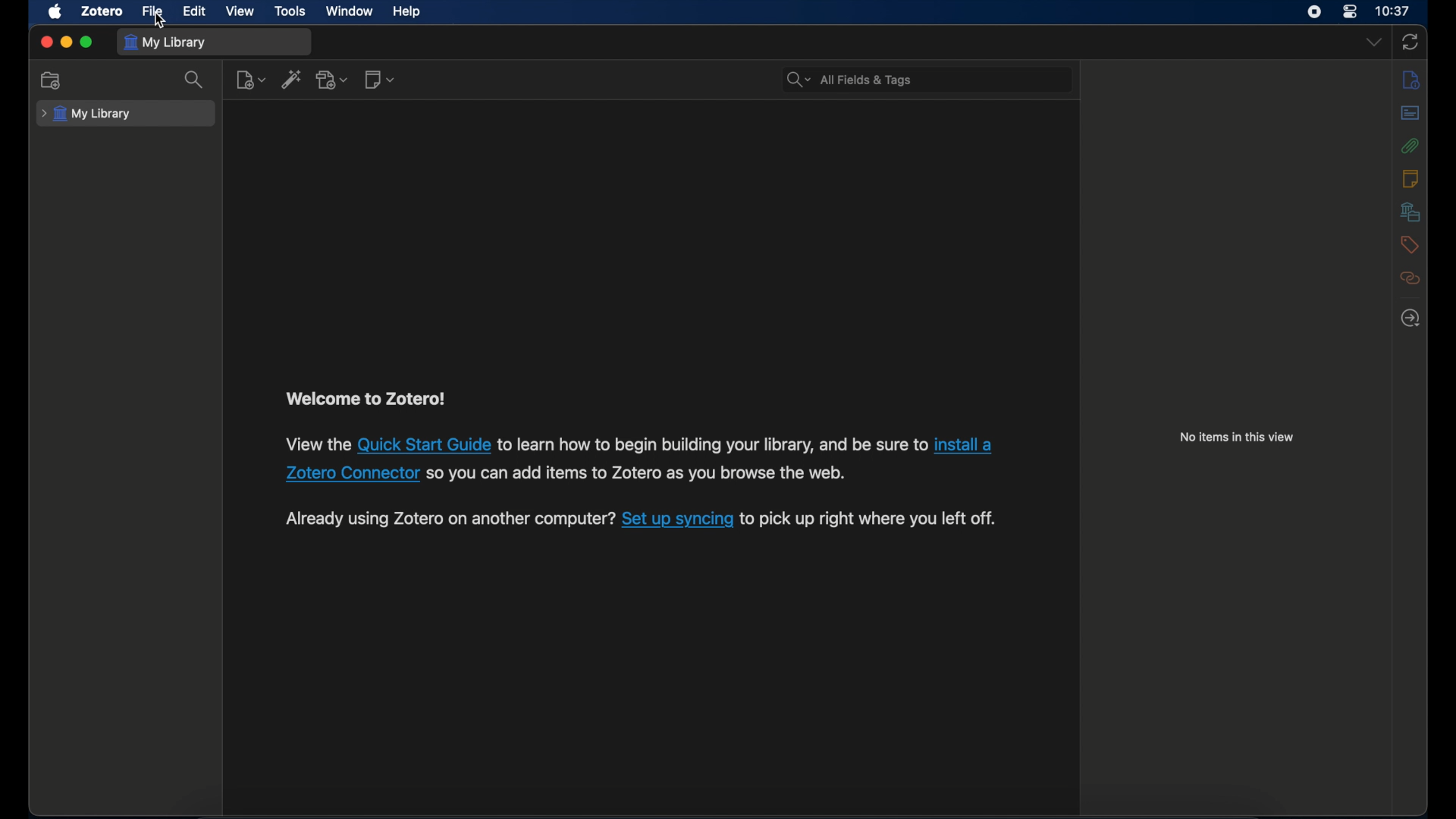 This screenshot has height=819, width=1456. Describe the element at coordinates (1393, 12) in the screenshot. I see `10.37` at that location.